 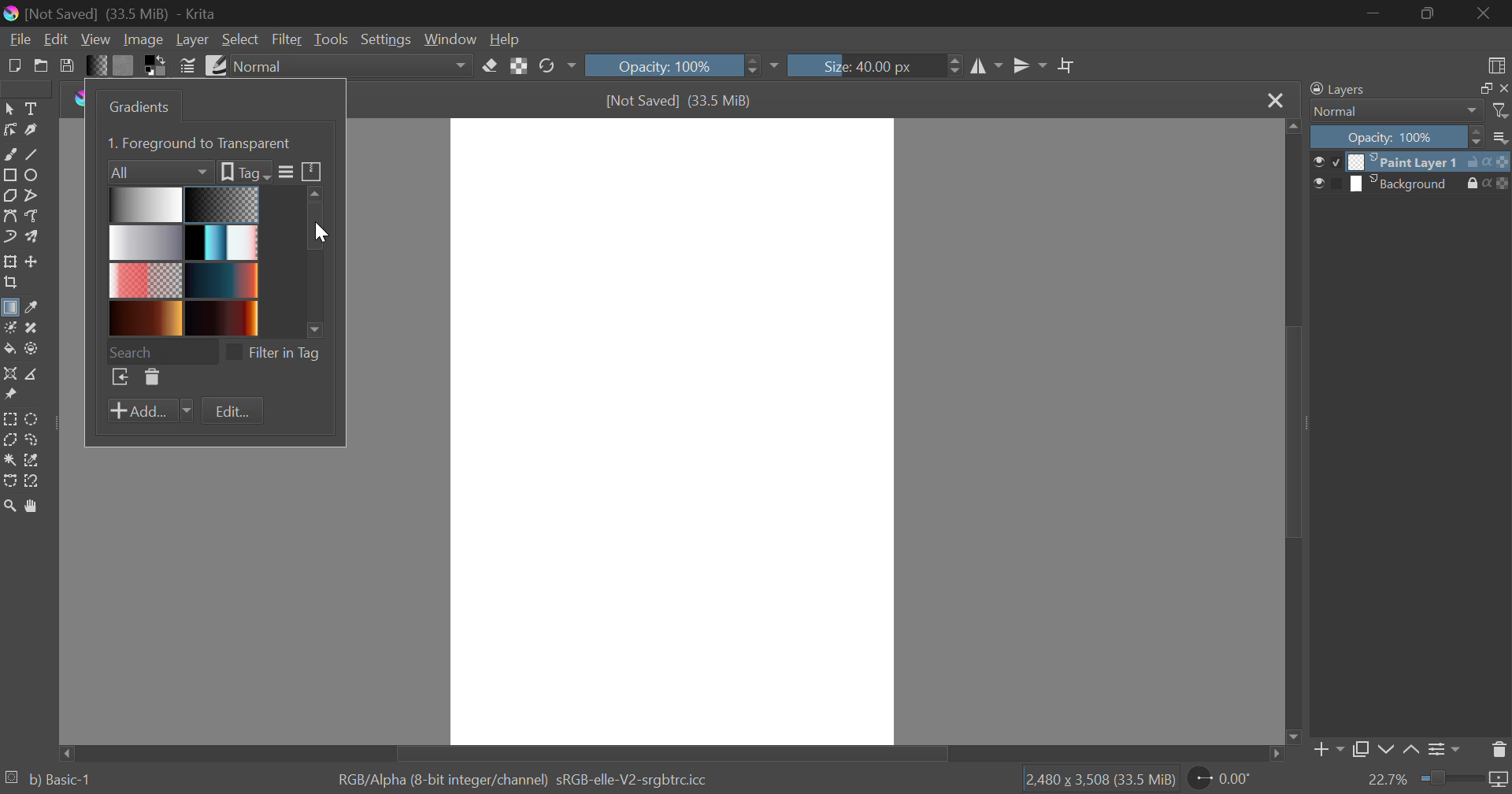 I want to click on Opacity 100%, so click(x=1395, y=137).